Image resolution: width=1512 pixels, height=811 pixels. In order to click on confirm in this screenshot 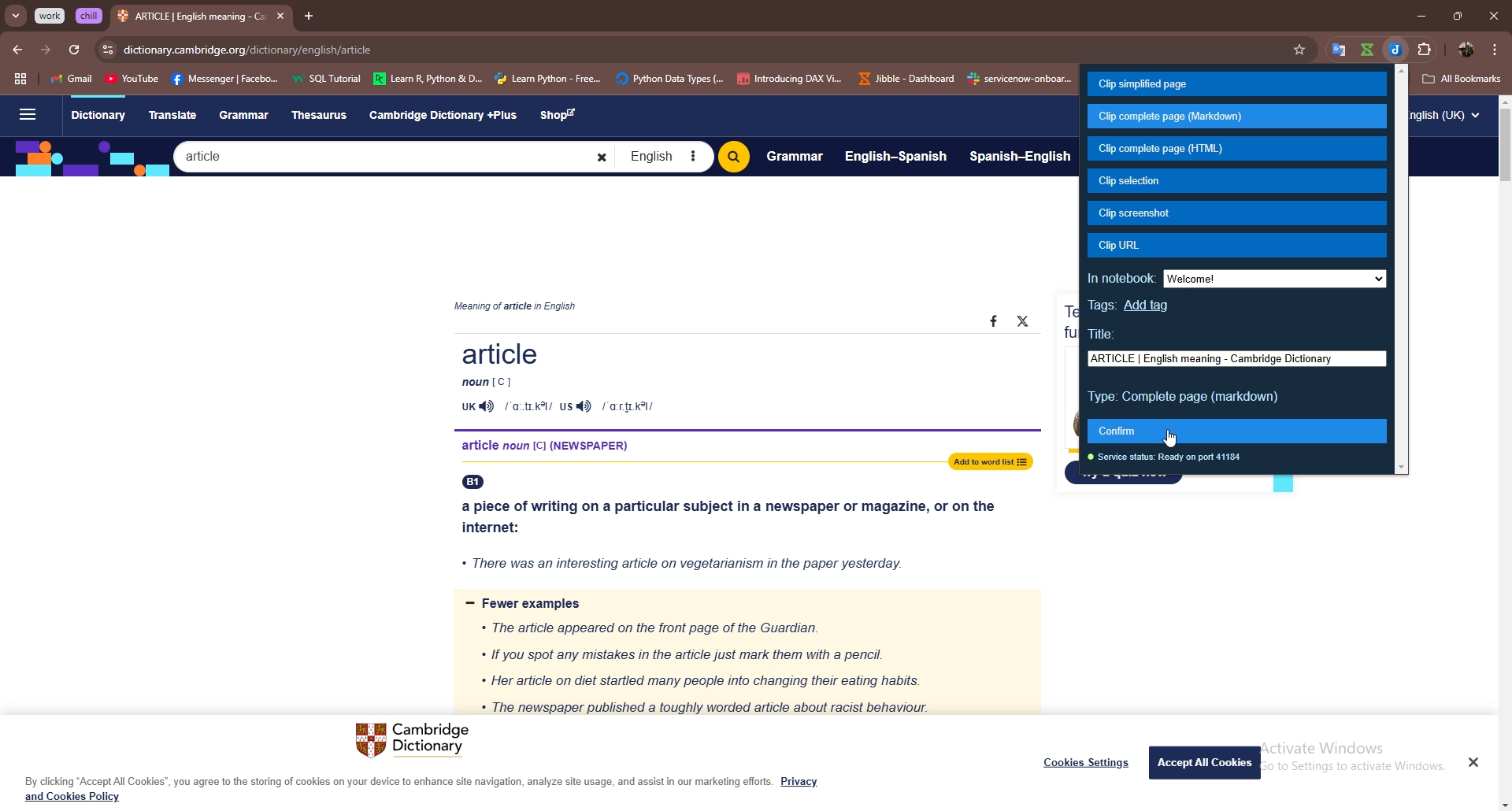, I will do `click(1239, 431)`.